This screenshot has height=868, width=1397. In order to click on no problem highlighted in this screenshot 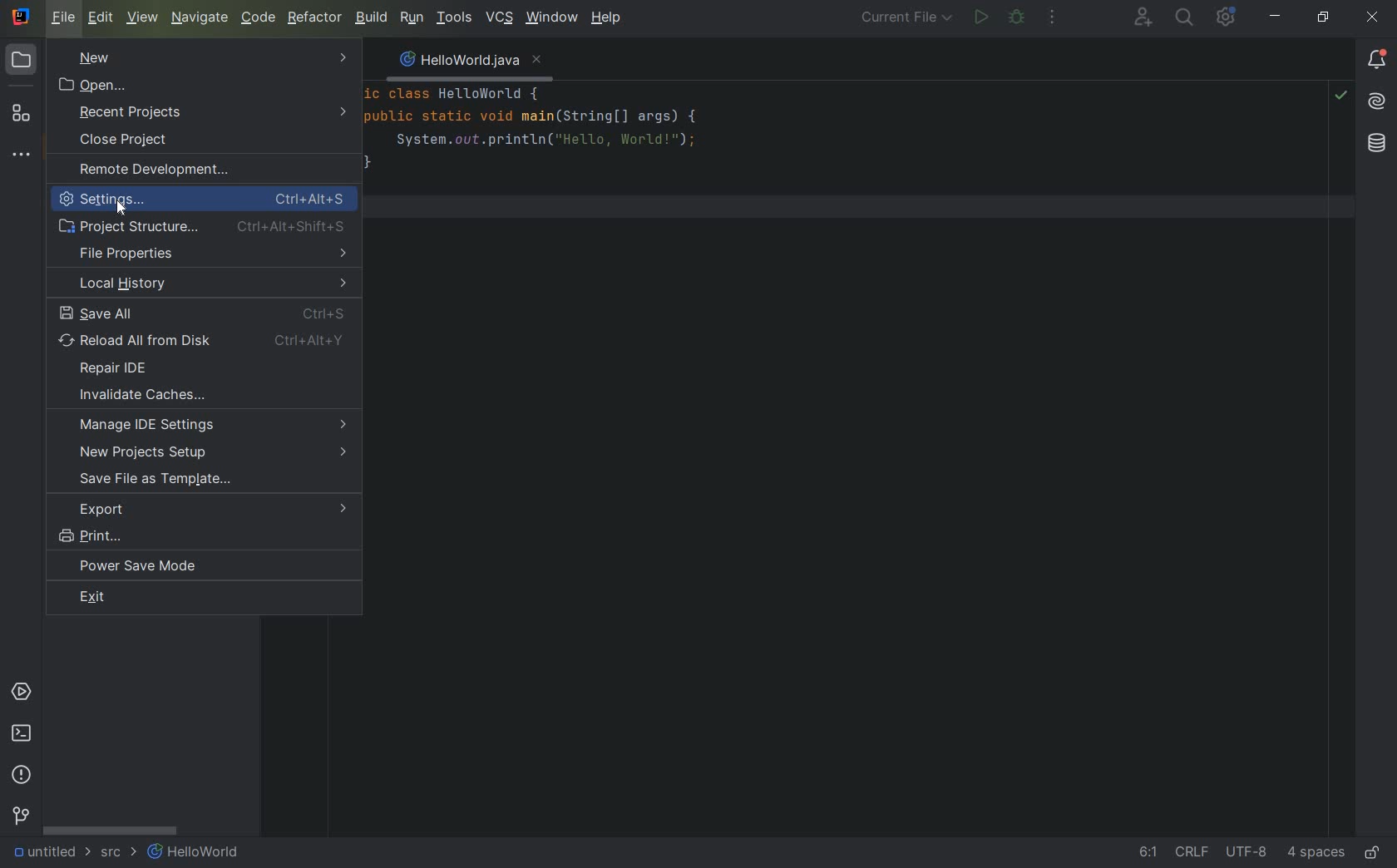, I will do `click(1340, 94)`.